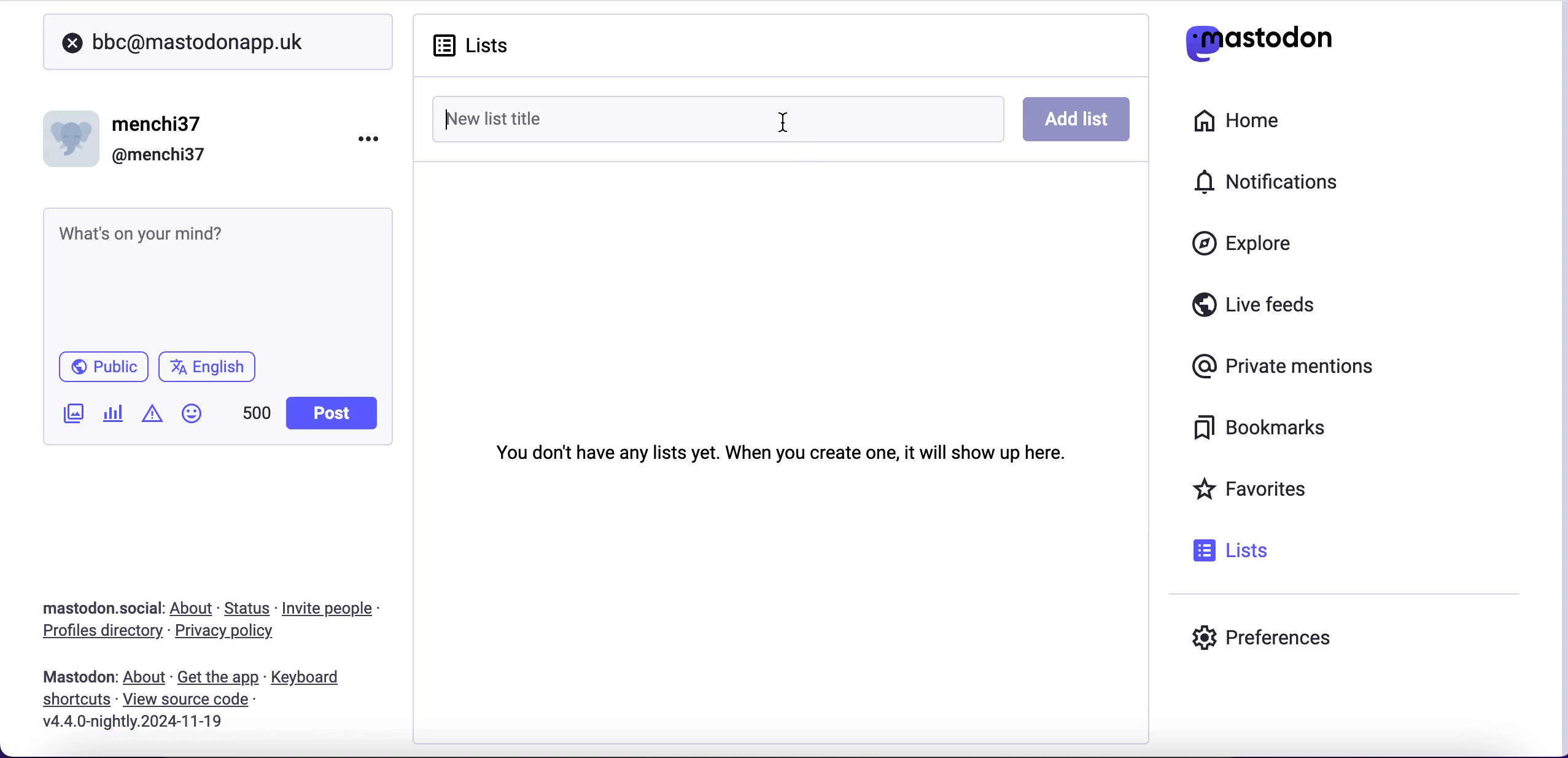 This screenshot has height=758, width=1568. Describe the element at coordinates (134, 137) in the screenshot. I see `user name` at that location.